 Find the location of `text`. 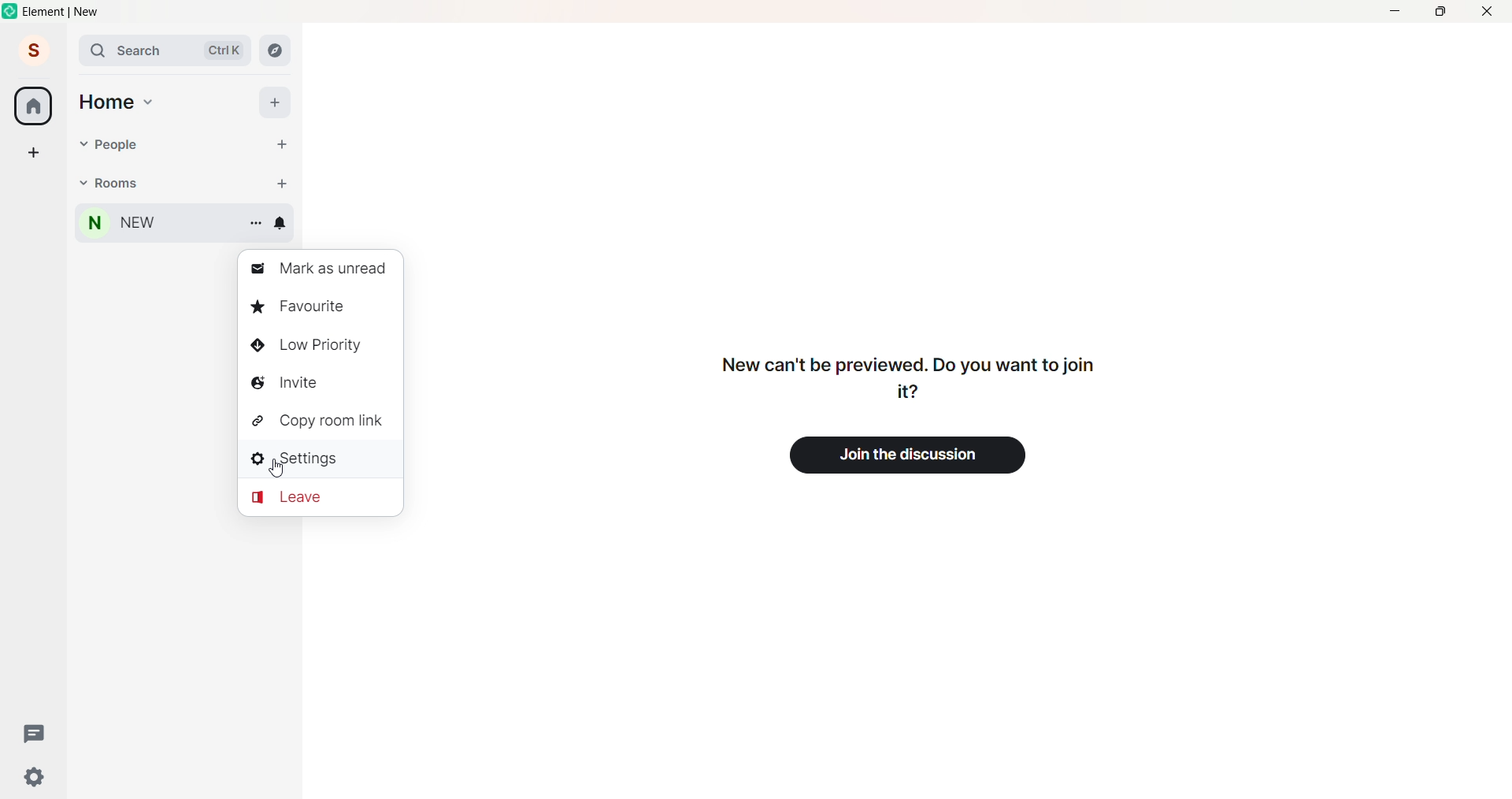

text is located at coordinates (913, 377).